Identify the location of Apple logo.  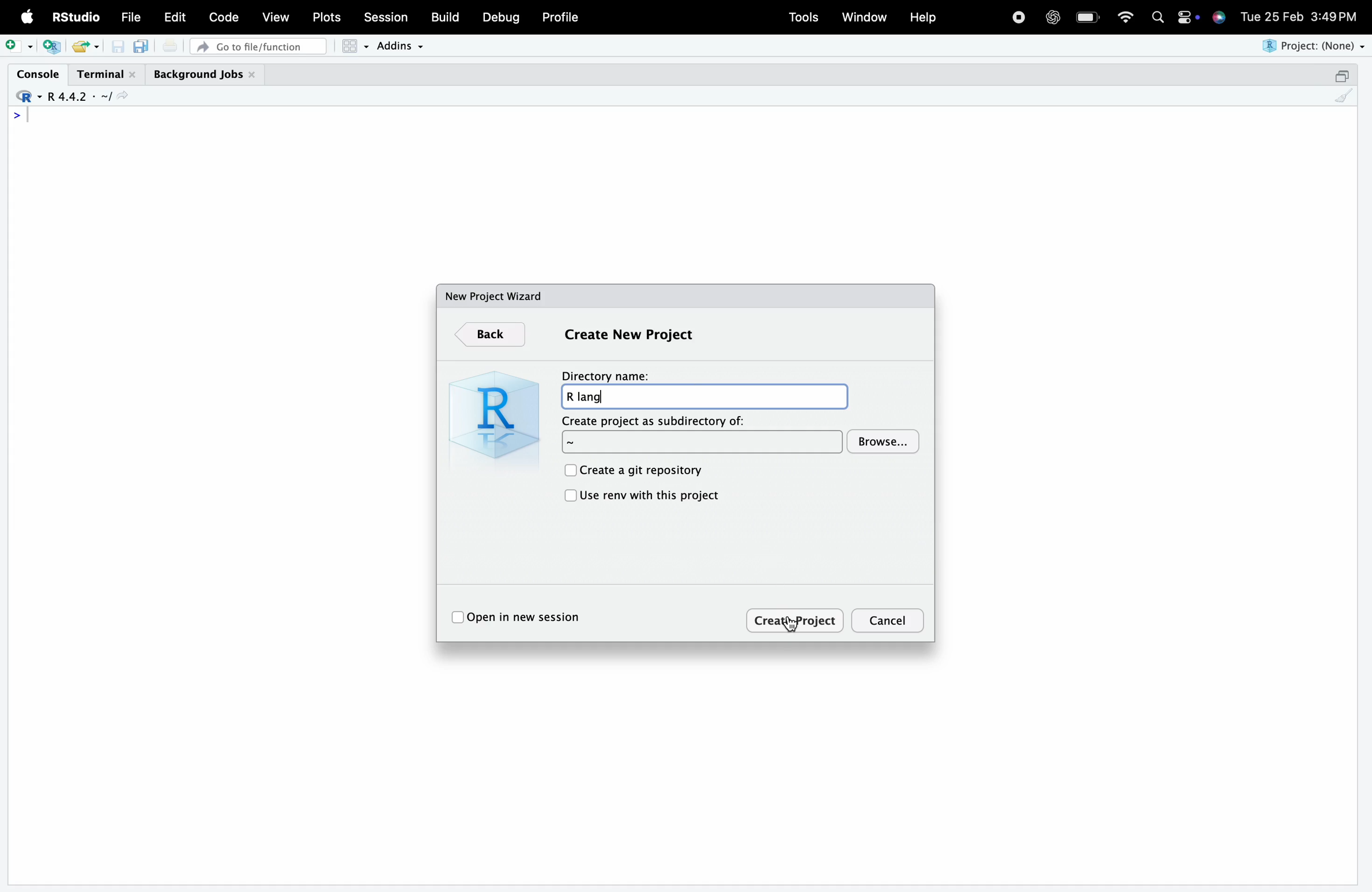
(28, 17).